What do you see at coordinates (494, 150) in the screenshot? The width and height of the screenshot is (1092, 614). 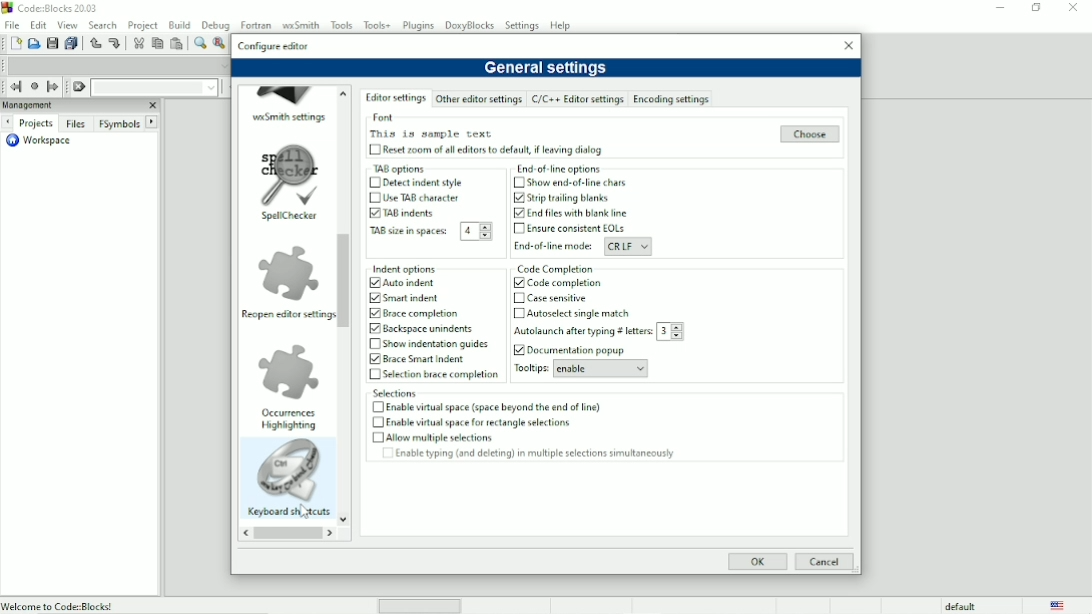 I see ` Reset zoom of all editors to default, if leaving dialog` at bounding box center [494, 150].